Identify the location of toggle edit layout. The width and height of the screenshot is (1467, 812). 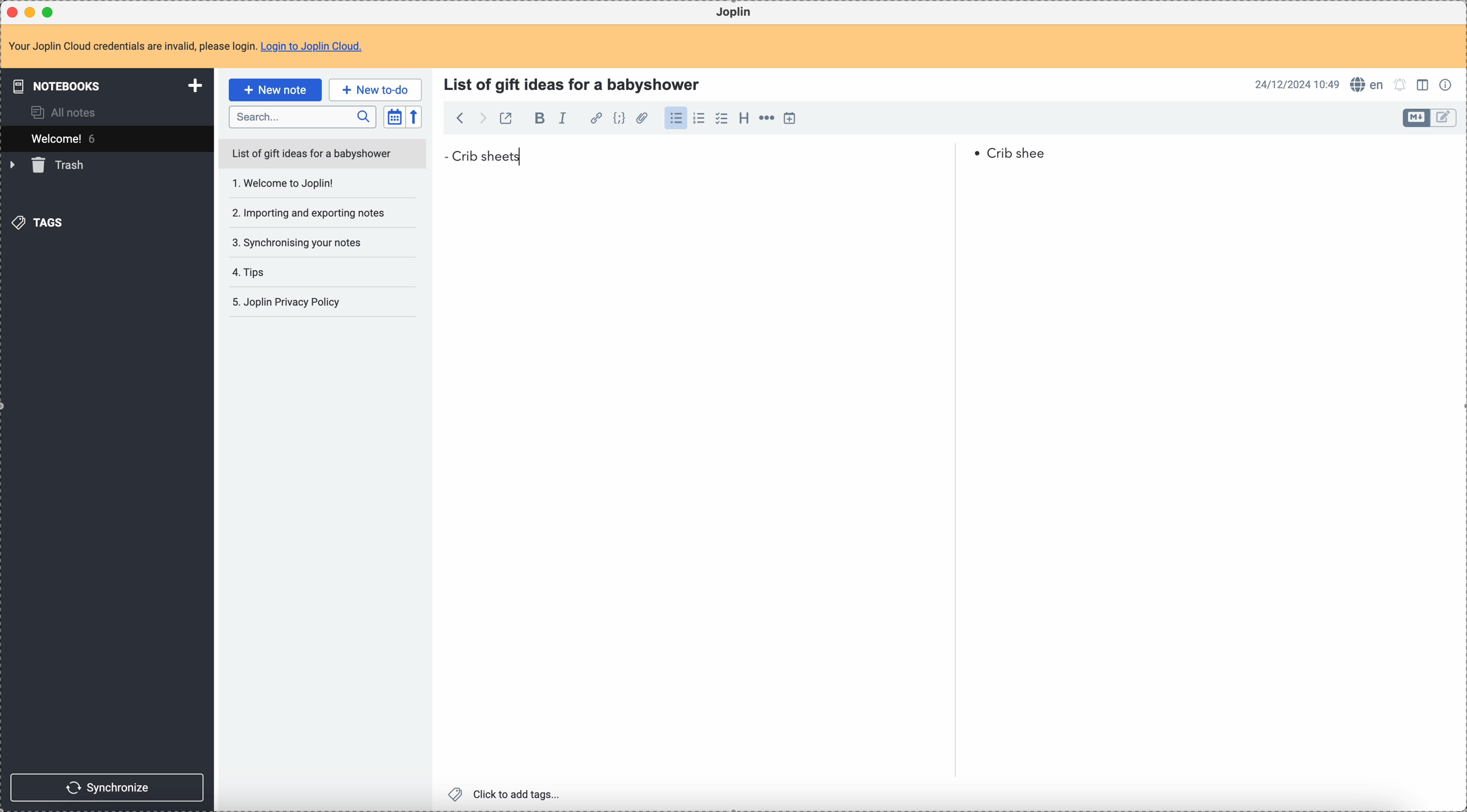
(1425, 87).